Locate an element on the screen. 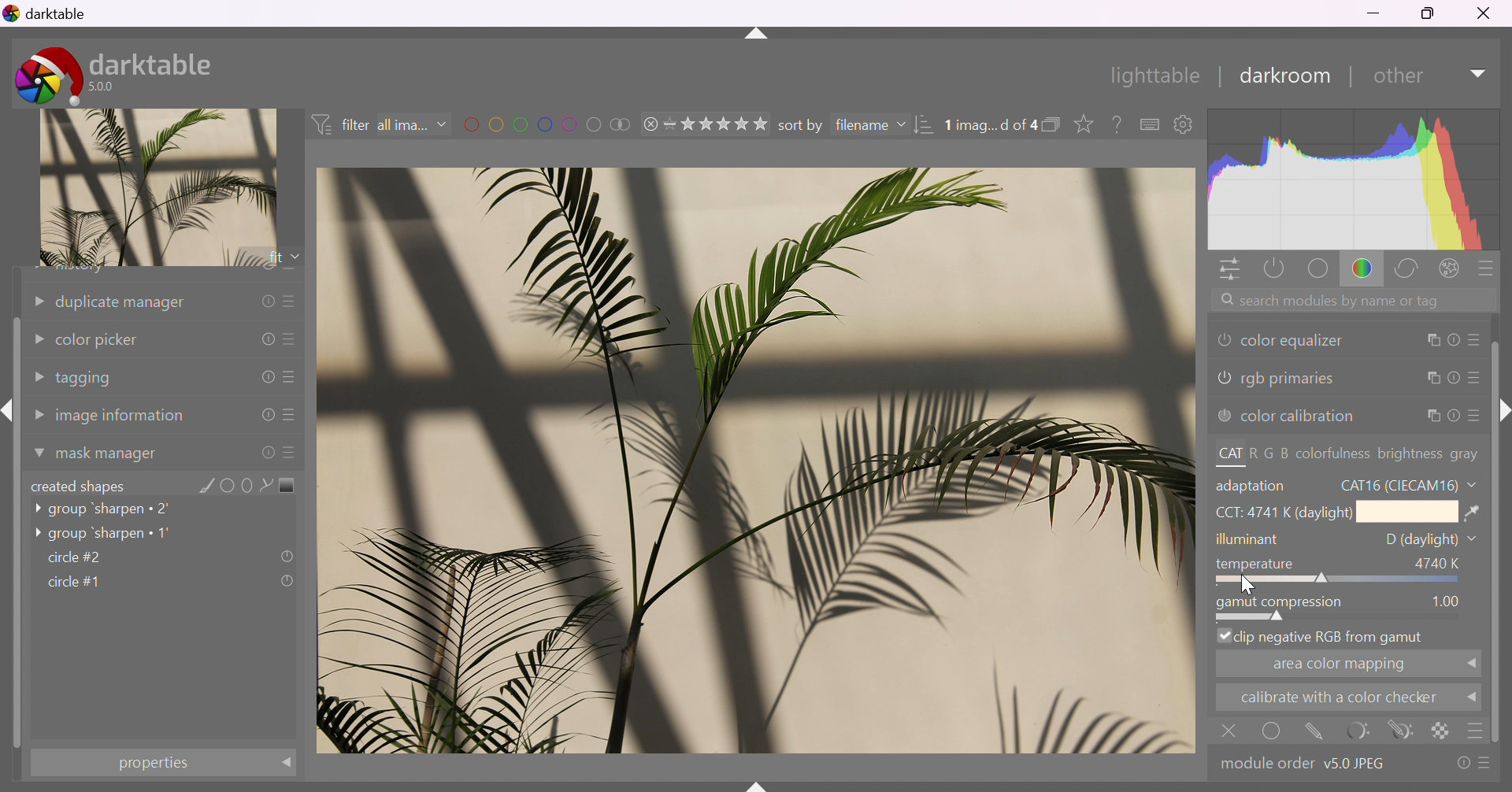 The image size is (1512, 792). drop down is located at coordinates (293, 257).